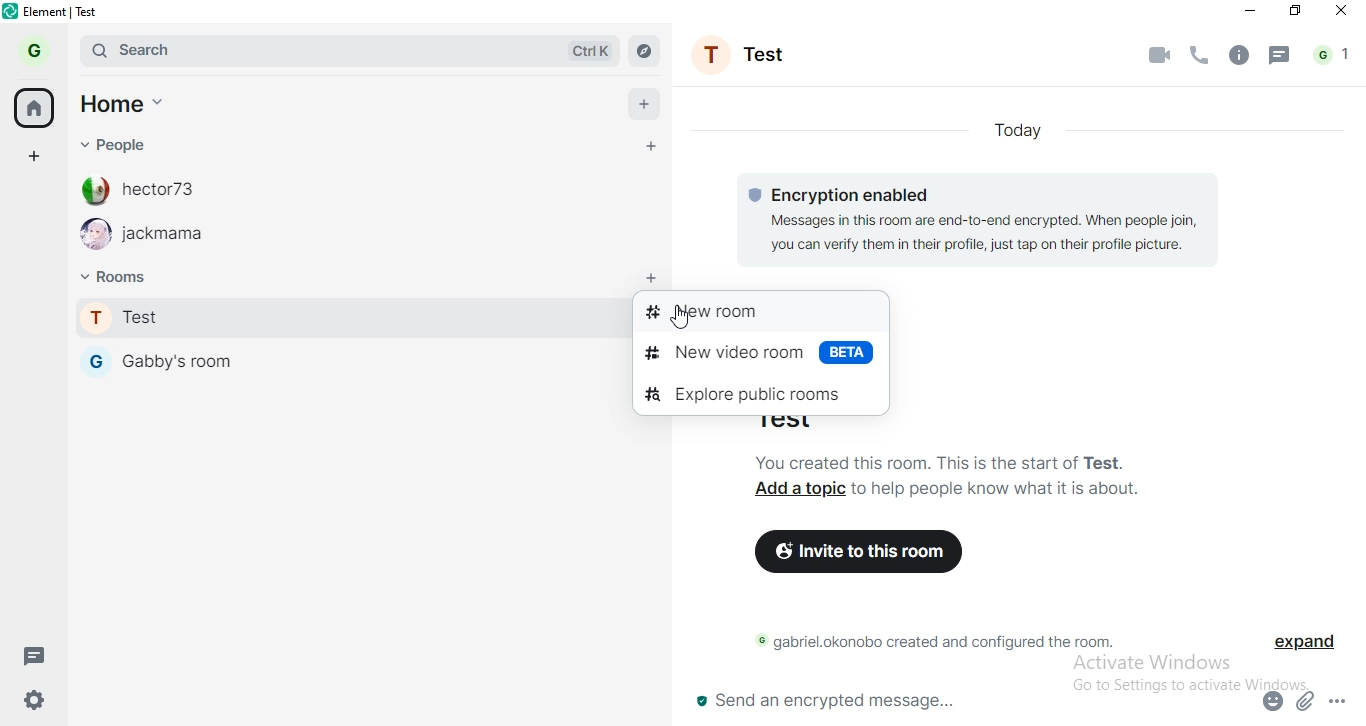  Describe the element at coordinates (1333, 53) in the screenshot. I see `notification` at that location.